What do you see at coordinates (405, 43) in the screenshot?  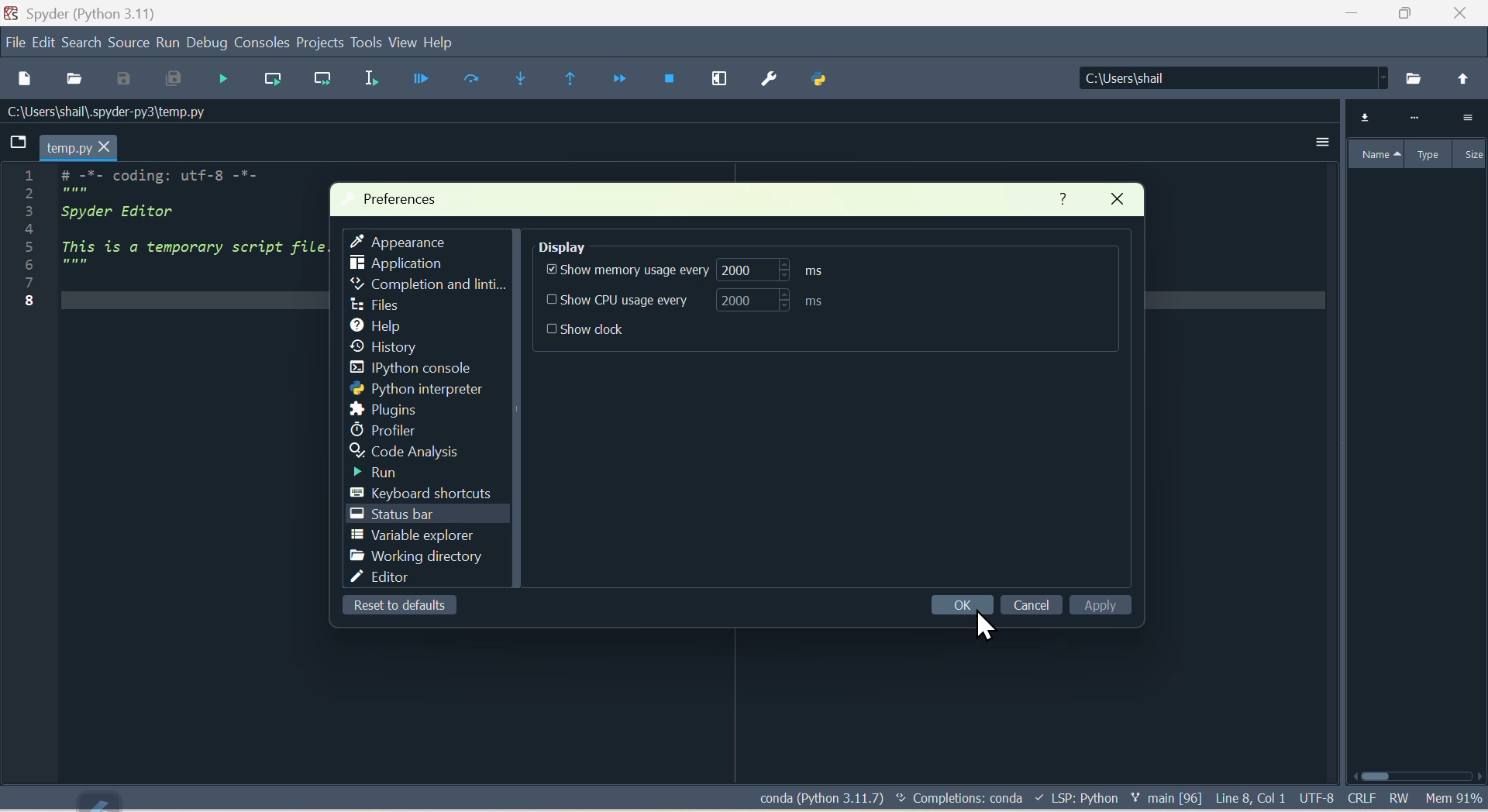 I see `view` at bounding box center [405, 43].